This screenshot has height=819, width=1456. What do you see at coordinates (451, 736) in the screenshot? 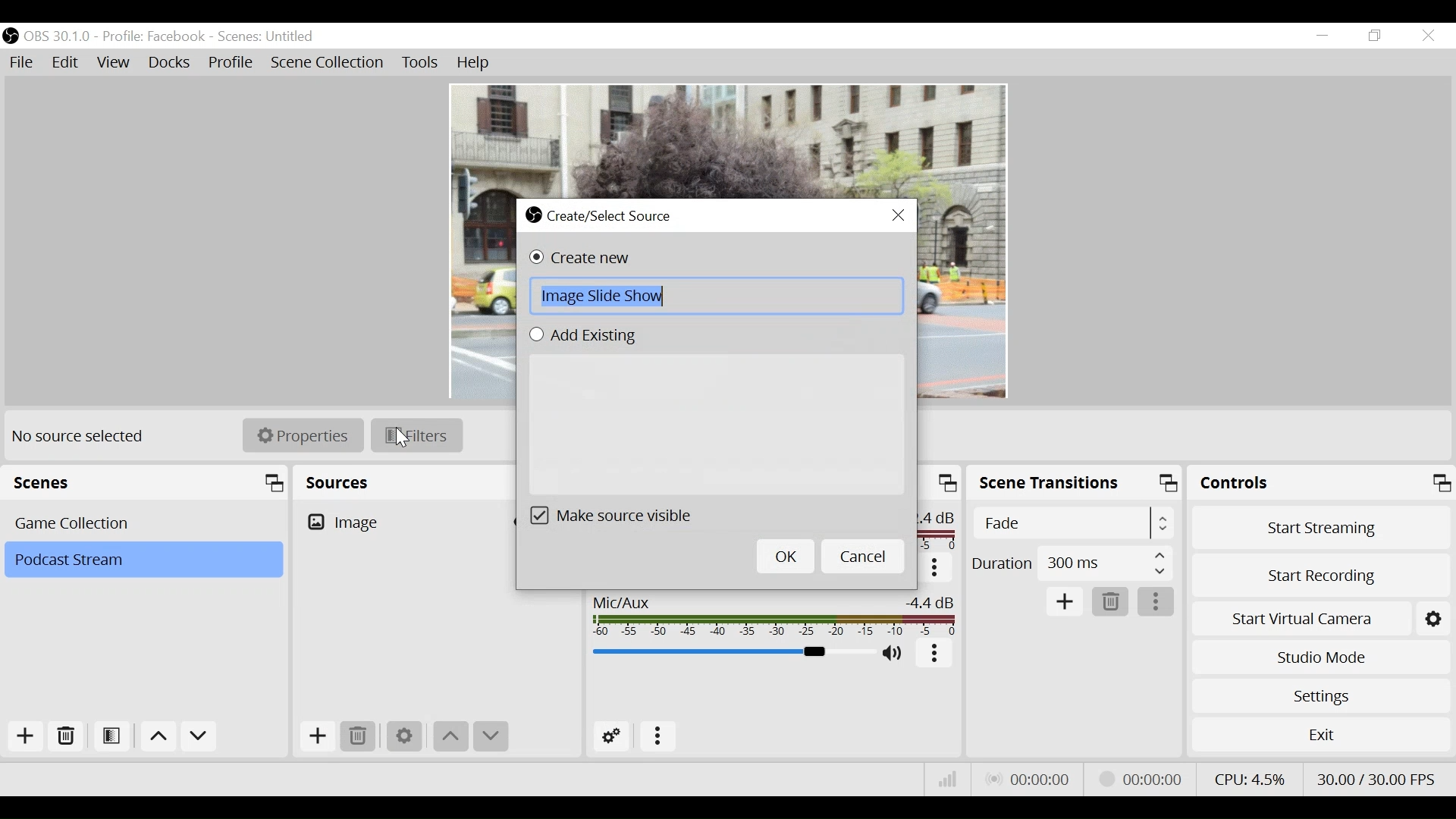
I see `Move up` at bounding box center [451, 736].